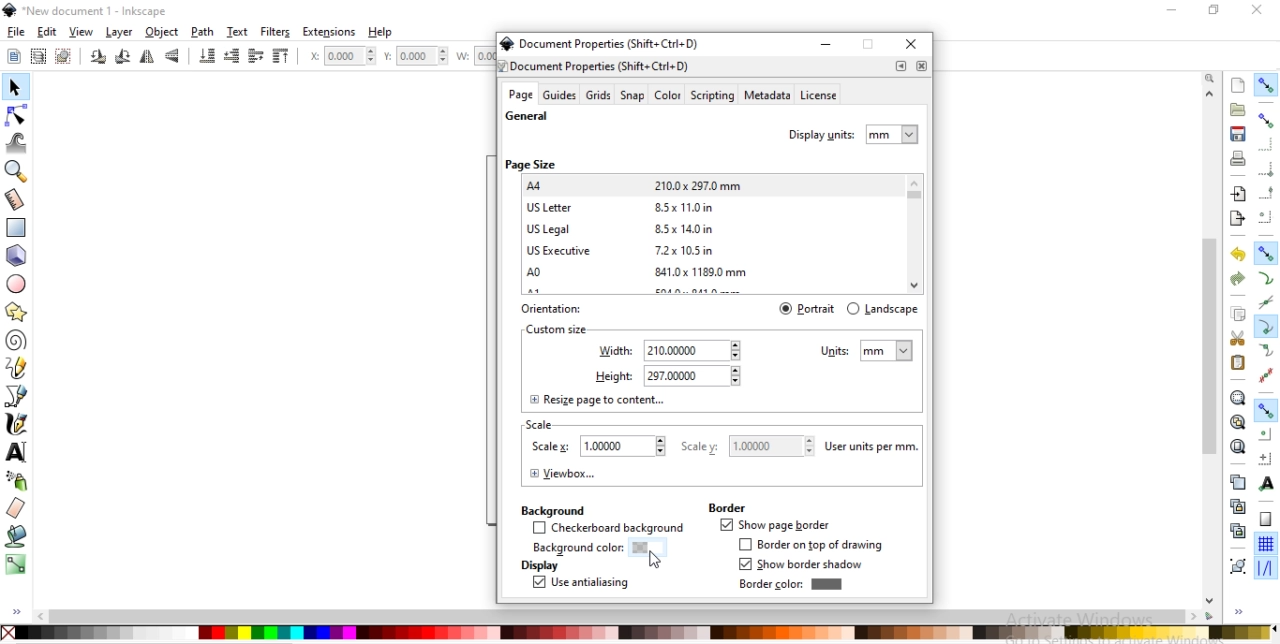  What do you see at coordinates (1238, 134) in the screenshot?
I see `save document` at bounding box center [1238, 134].